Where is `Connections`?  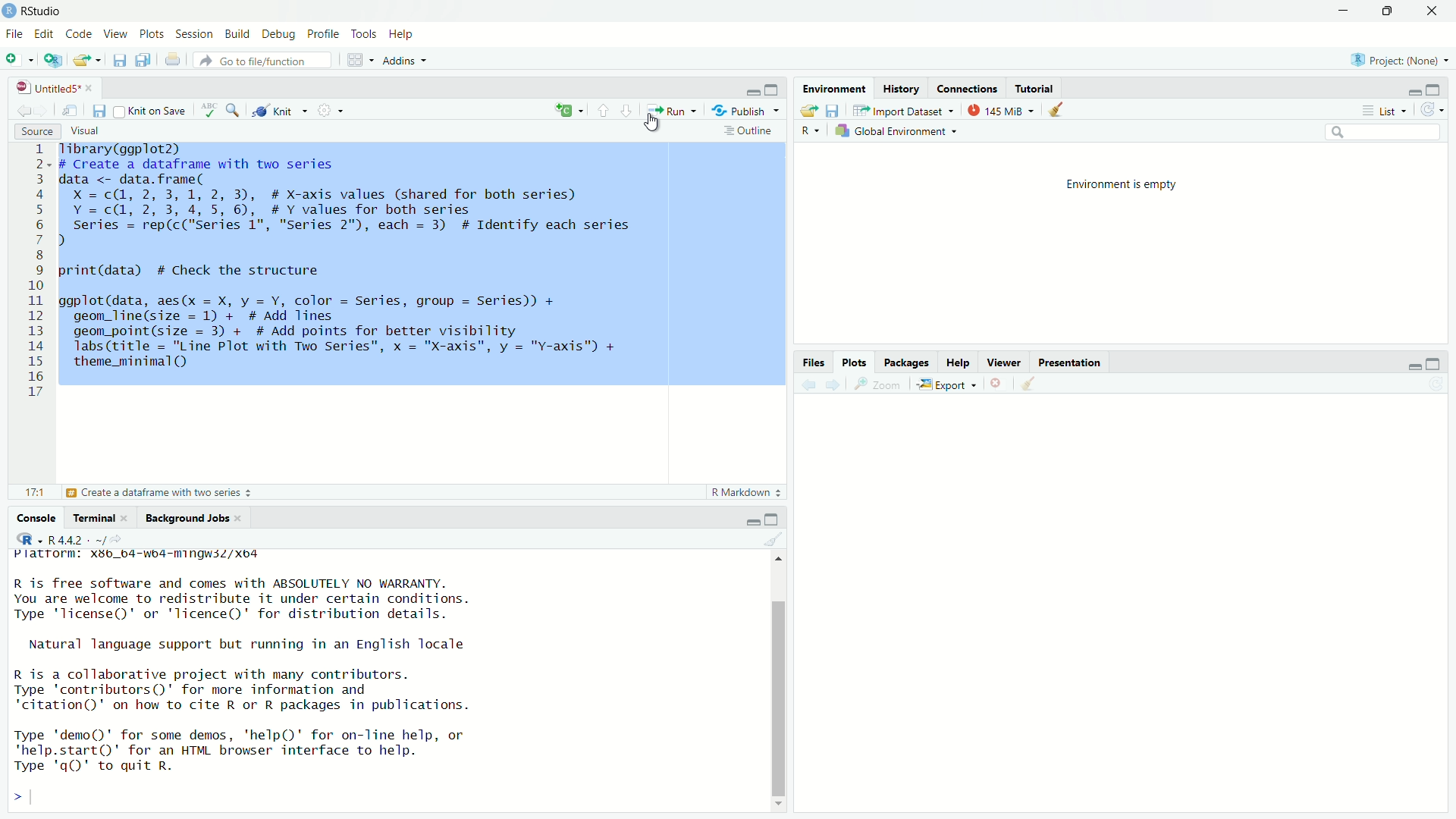
Connections is located at coordinates (964, 88).